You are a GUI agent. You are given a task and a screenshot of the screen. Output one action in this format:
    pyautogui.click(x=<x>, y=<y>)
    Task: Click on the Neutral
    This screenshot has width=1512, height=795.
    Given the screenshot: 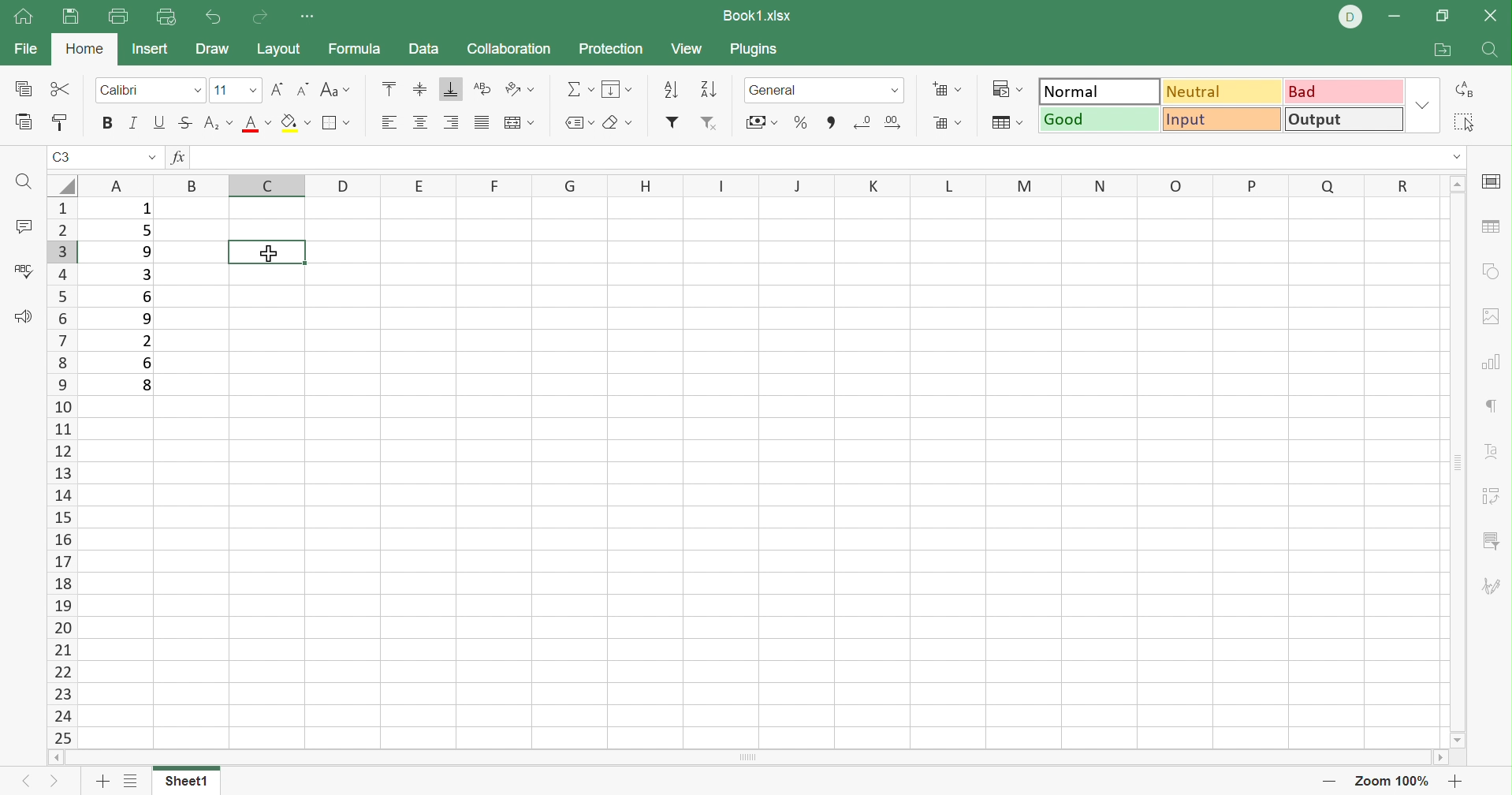 What is the action you would take?
    pyautogui.click(x=1221, y=91)
    